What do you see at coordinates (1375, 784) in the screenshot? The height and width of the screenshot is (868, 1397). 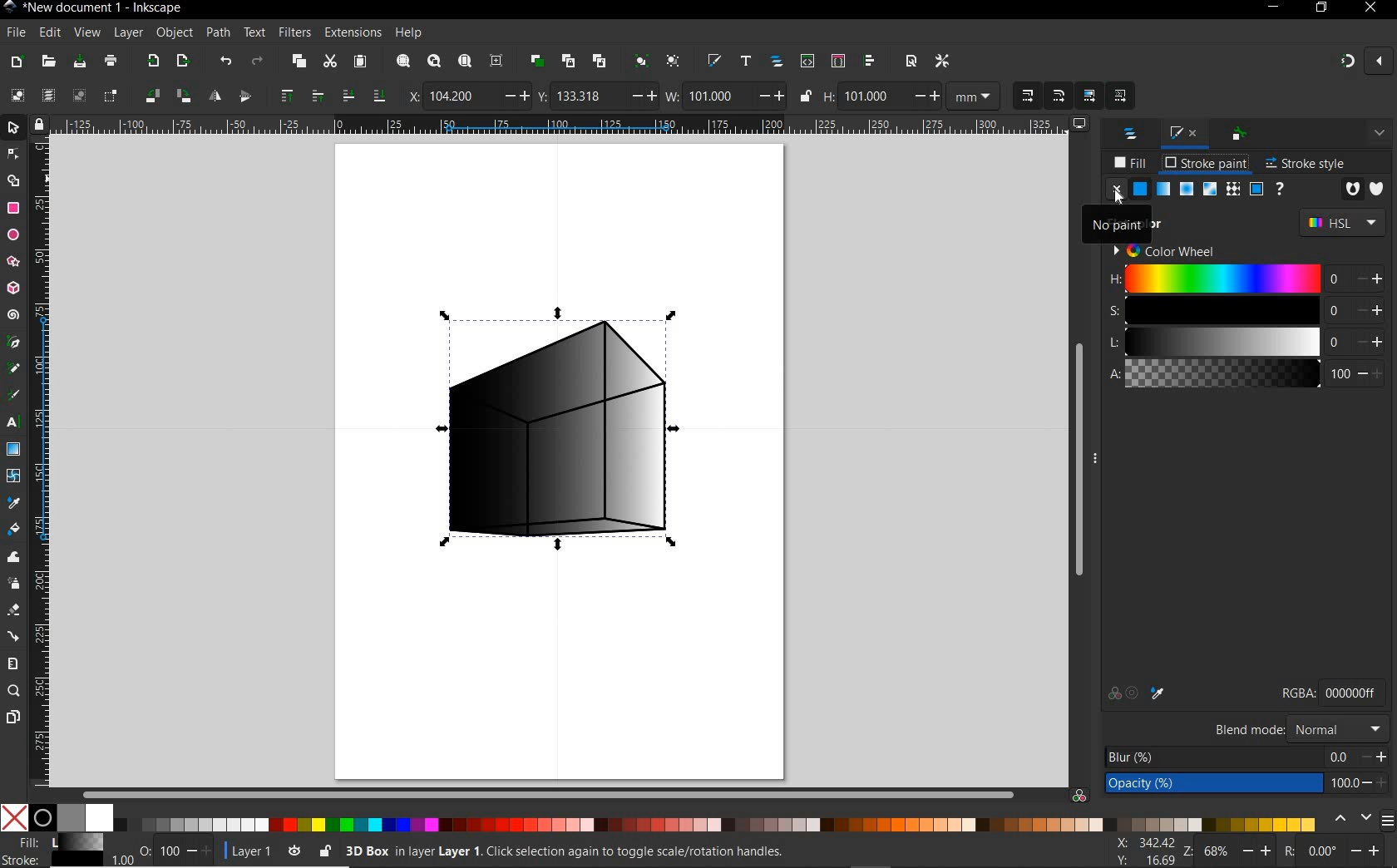 I see `increase/decrease` at bounding box center [1375, 784].